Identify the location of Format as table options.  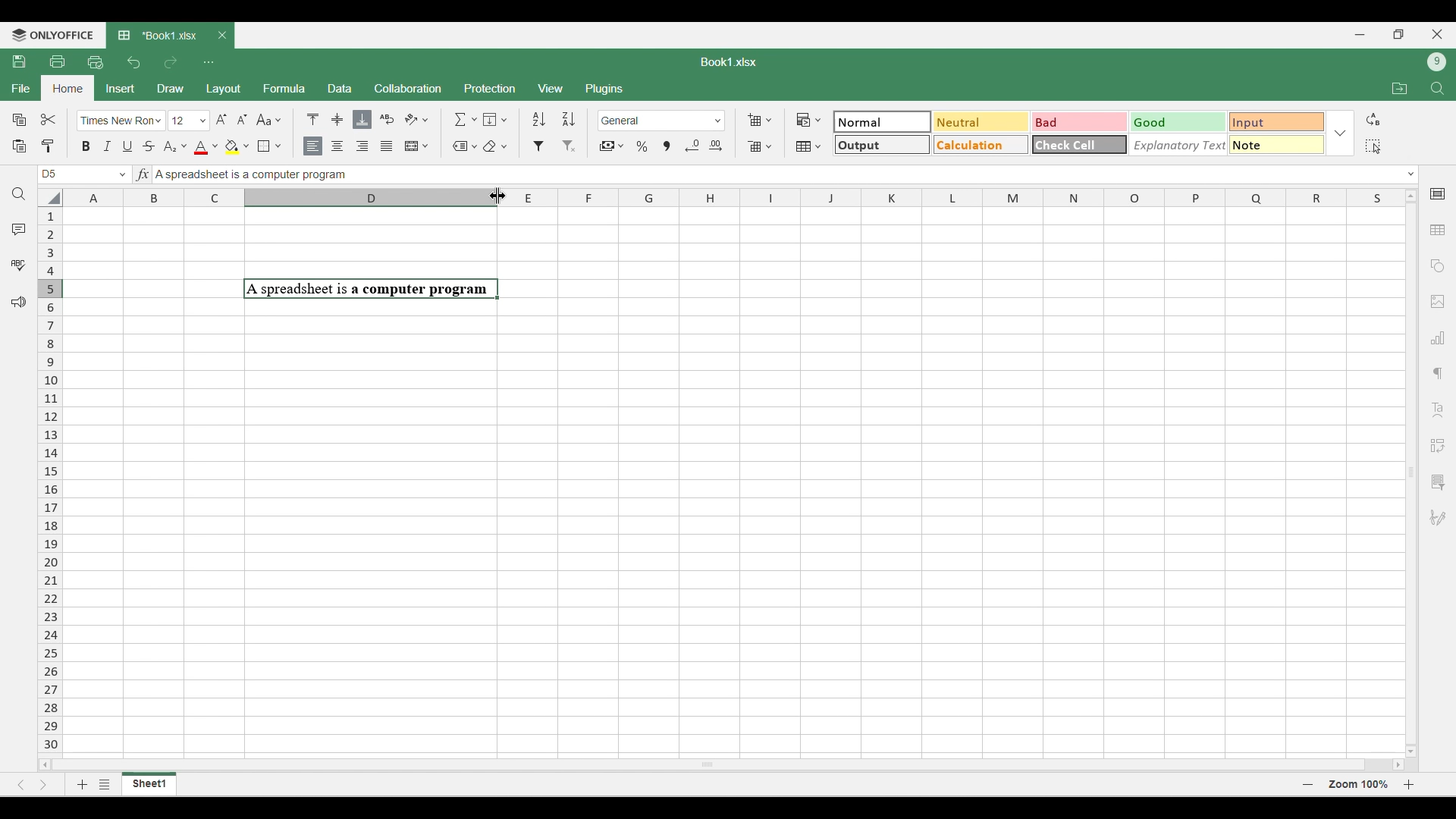
(808, 146).